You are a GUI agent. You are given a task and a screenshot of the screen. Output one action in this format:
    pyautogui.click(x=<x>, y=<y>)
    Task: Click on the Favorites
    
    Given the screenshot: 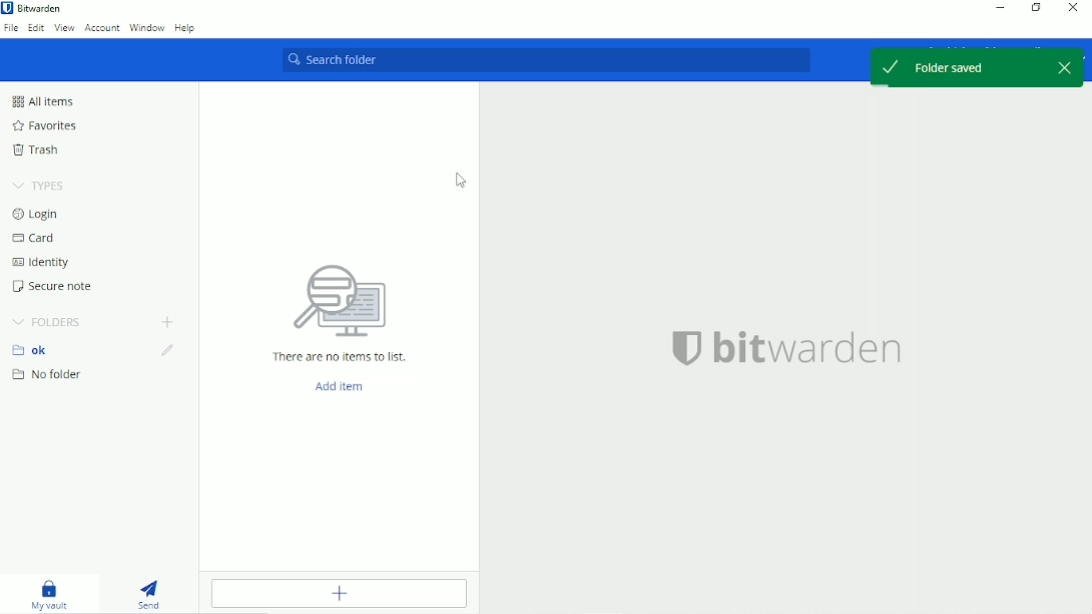 What is the action you would take?
    pyautogui.click(x=43, y=126)
    